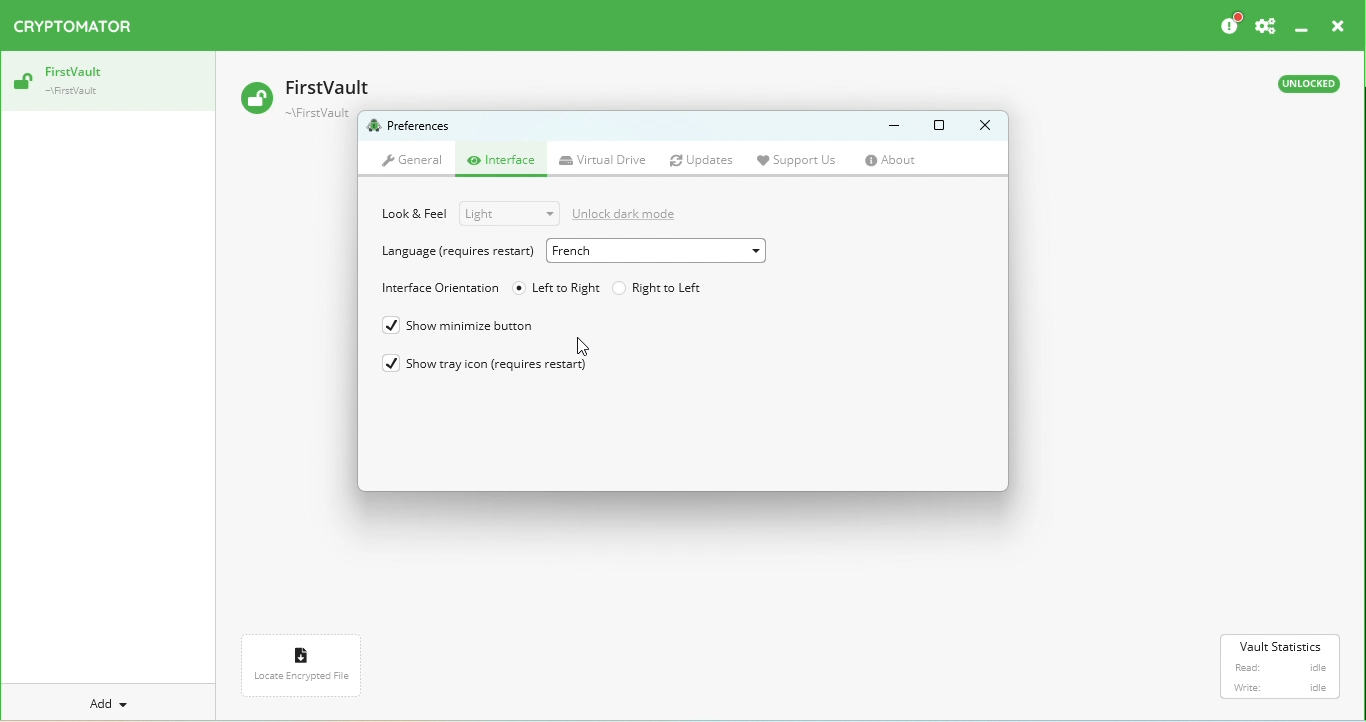 The width and height of the screenshot is (1366, 722). What do you see at coordinates (469, 327) in the screenshot?
I see `Show minimize button` at bounding box center [469, 327].